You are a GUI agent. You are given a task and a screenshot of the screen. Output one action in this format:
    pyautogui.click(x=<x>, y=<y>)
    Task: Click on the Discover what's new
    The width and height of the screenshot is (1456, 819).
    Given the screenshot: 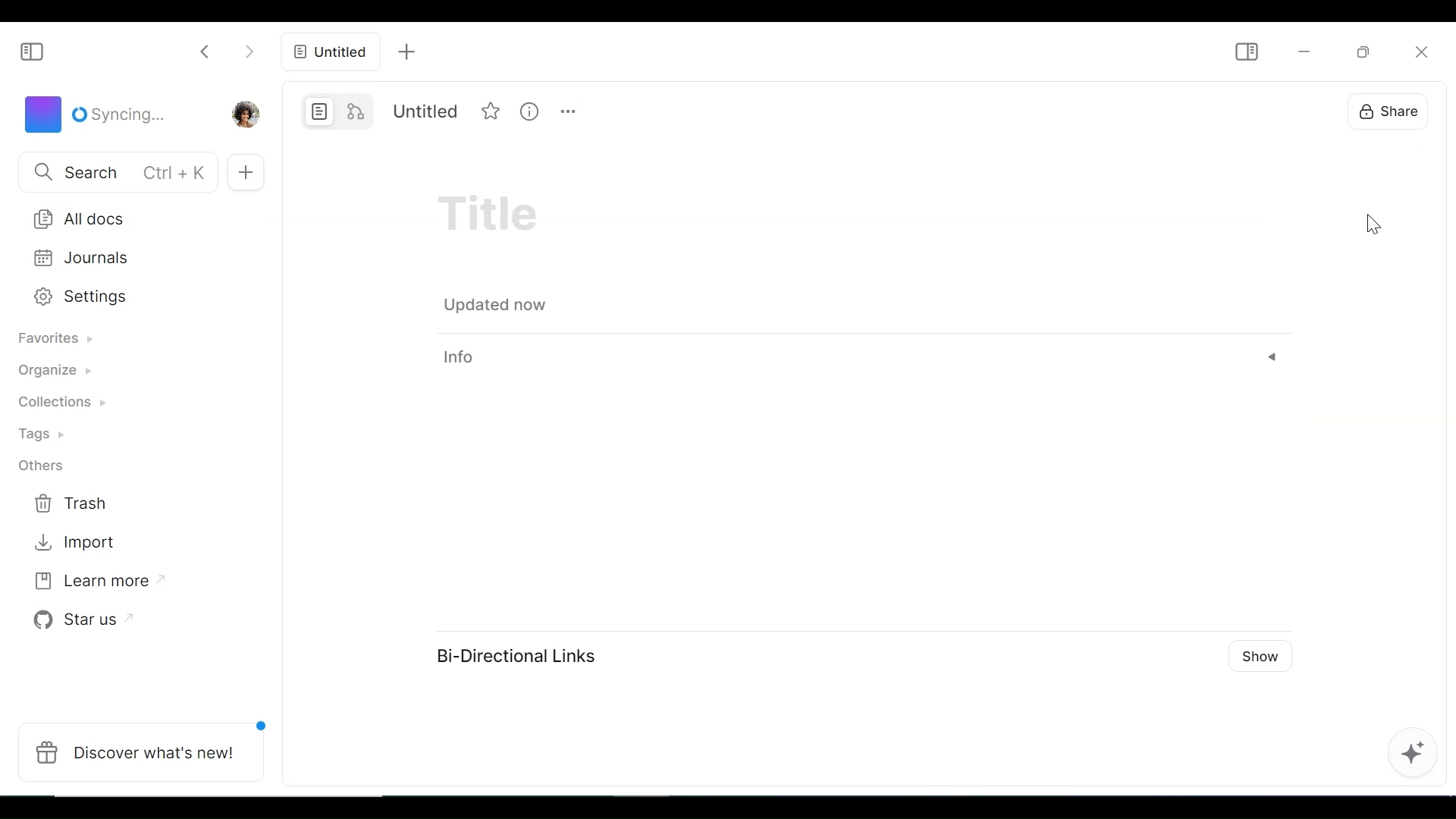 What is the action you would take?
    pyautogui.click(x=143, y=752)
    